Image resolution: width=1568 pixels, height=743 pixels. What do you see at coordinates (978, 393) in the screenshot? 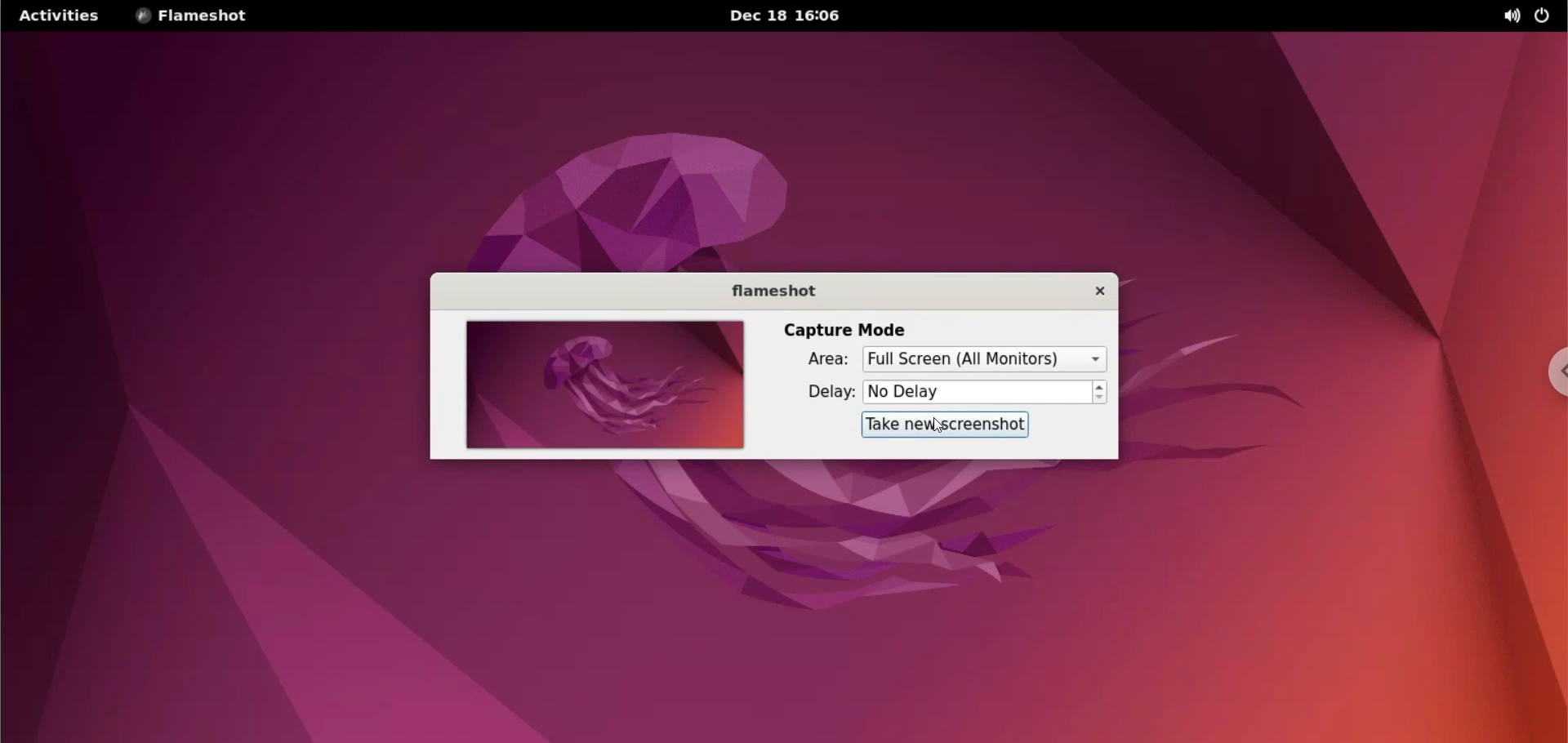
I see `delay options` at bounding box center [978, 393].